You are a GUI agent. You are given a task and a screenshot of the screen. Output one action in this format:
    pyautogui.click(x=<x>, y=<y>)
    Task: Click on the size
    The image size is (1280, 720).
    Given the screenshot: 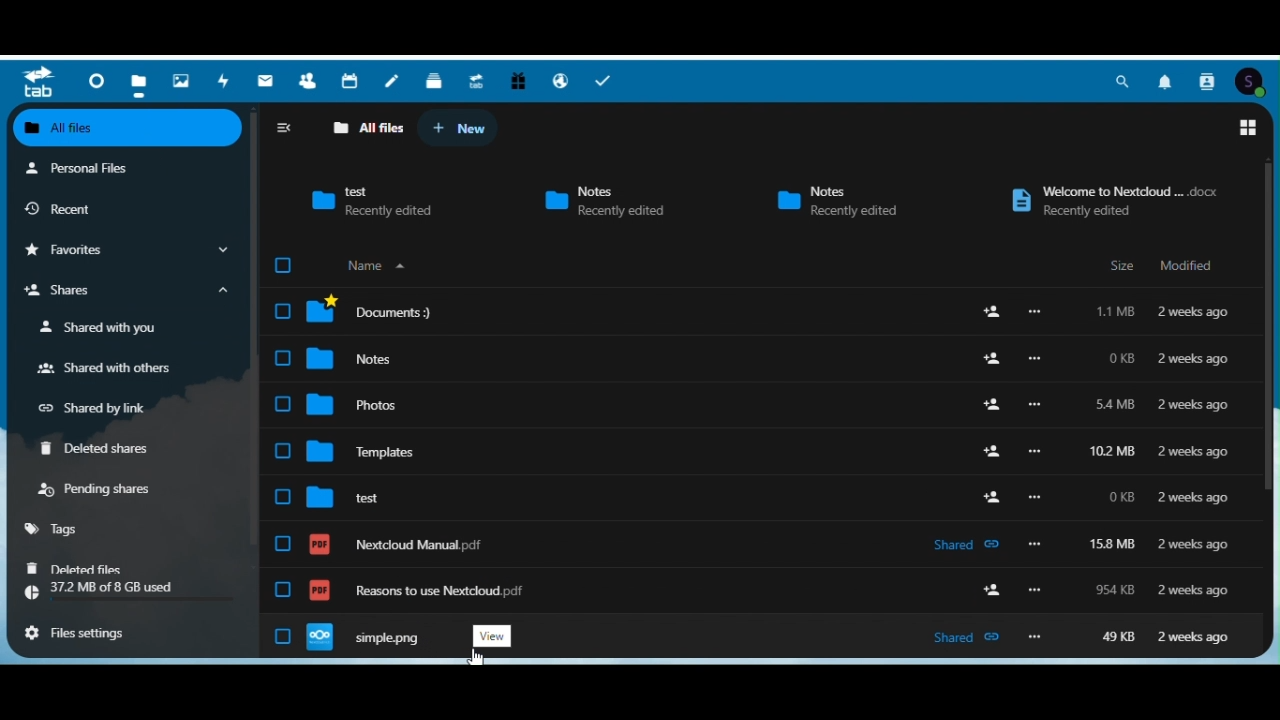 What is the action you would take?
    pyautogui.click(x=1122, y=497)
    